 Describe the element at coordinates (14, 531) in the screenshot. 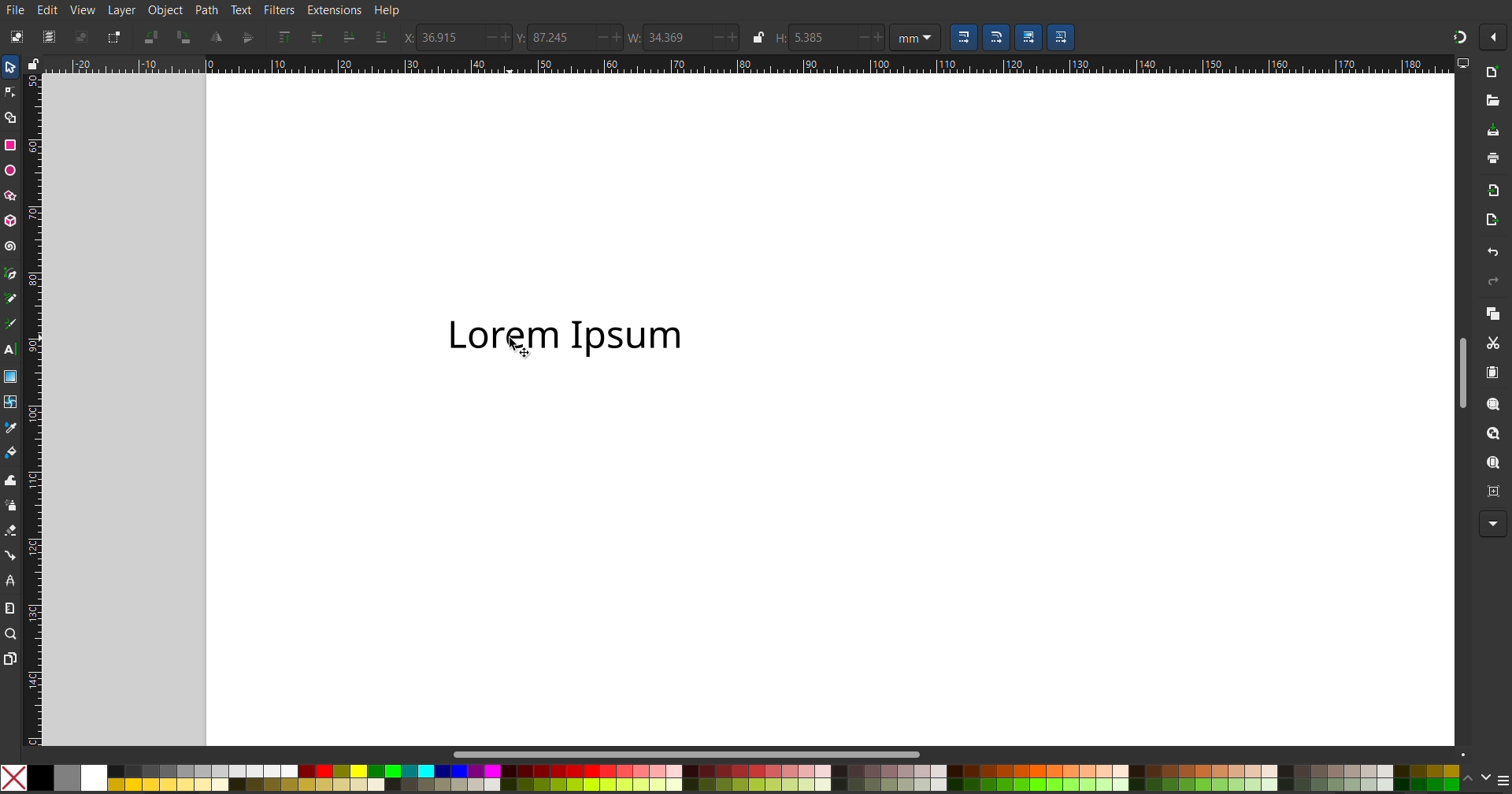

I see `Erase Tool` at that location.